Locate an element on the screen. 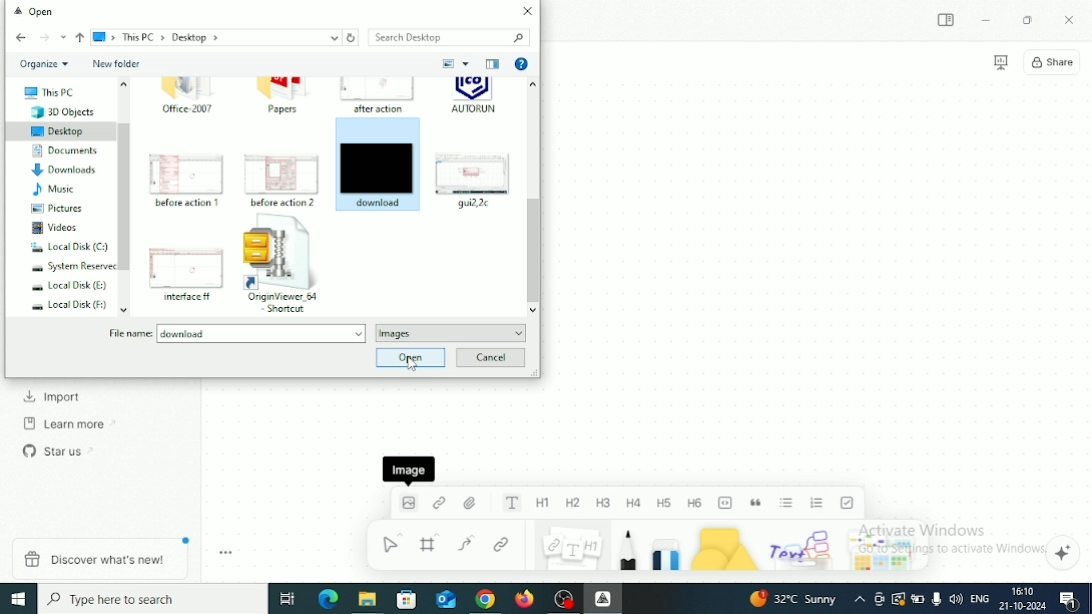  Office 2007 is located at coordinates (191, 98).